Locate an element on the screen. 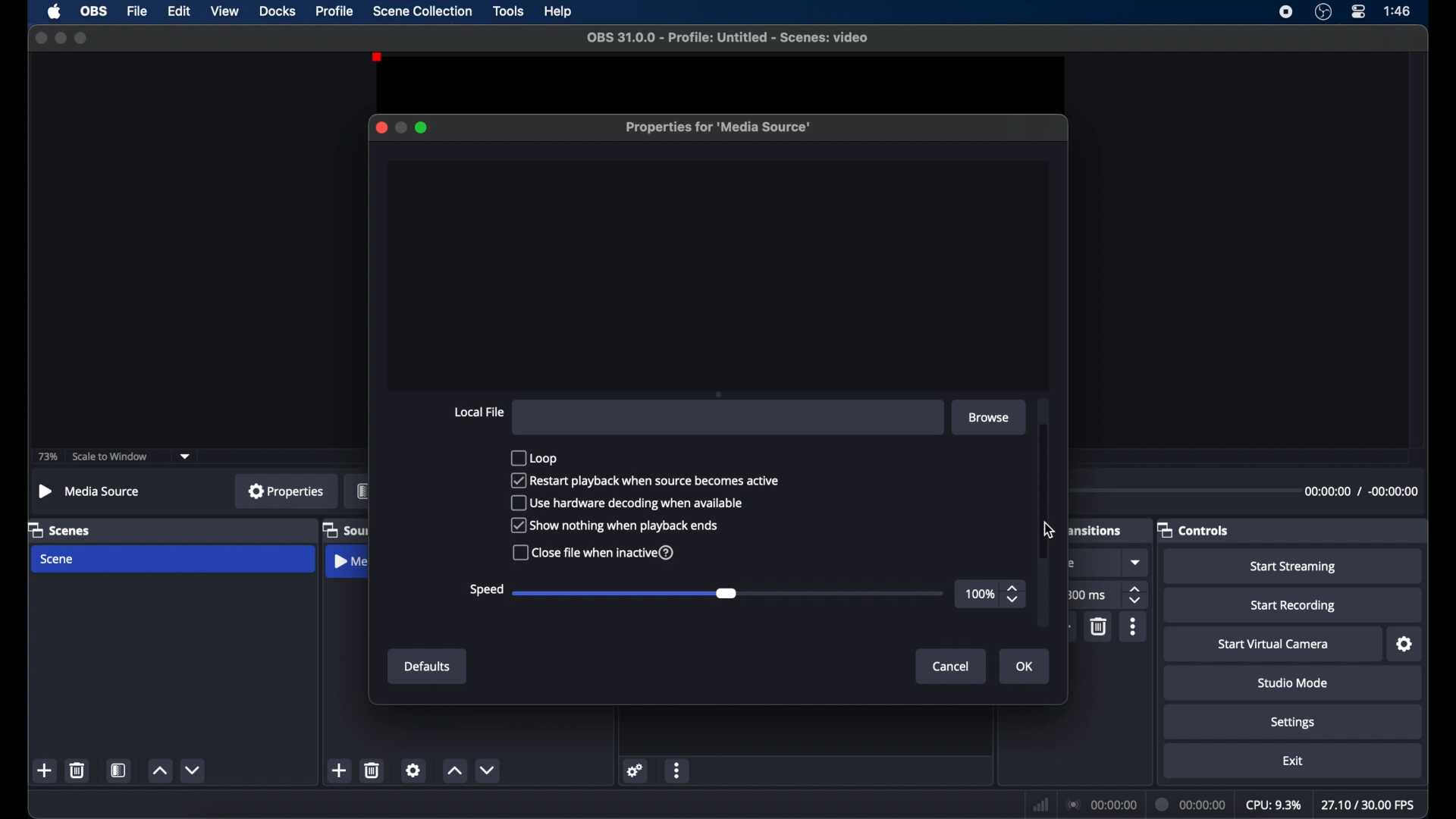 The image size is (1456, 819). minimize is located at coordinates (60, 38).